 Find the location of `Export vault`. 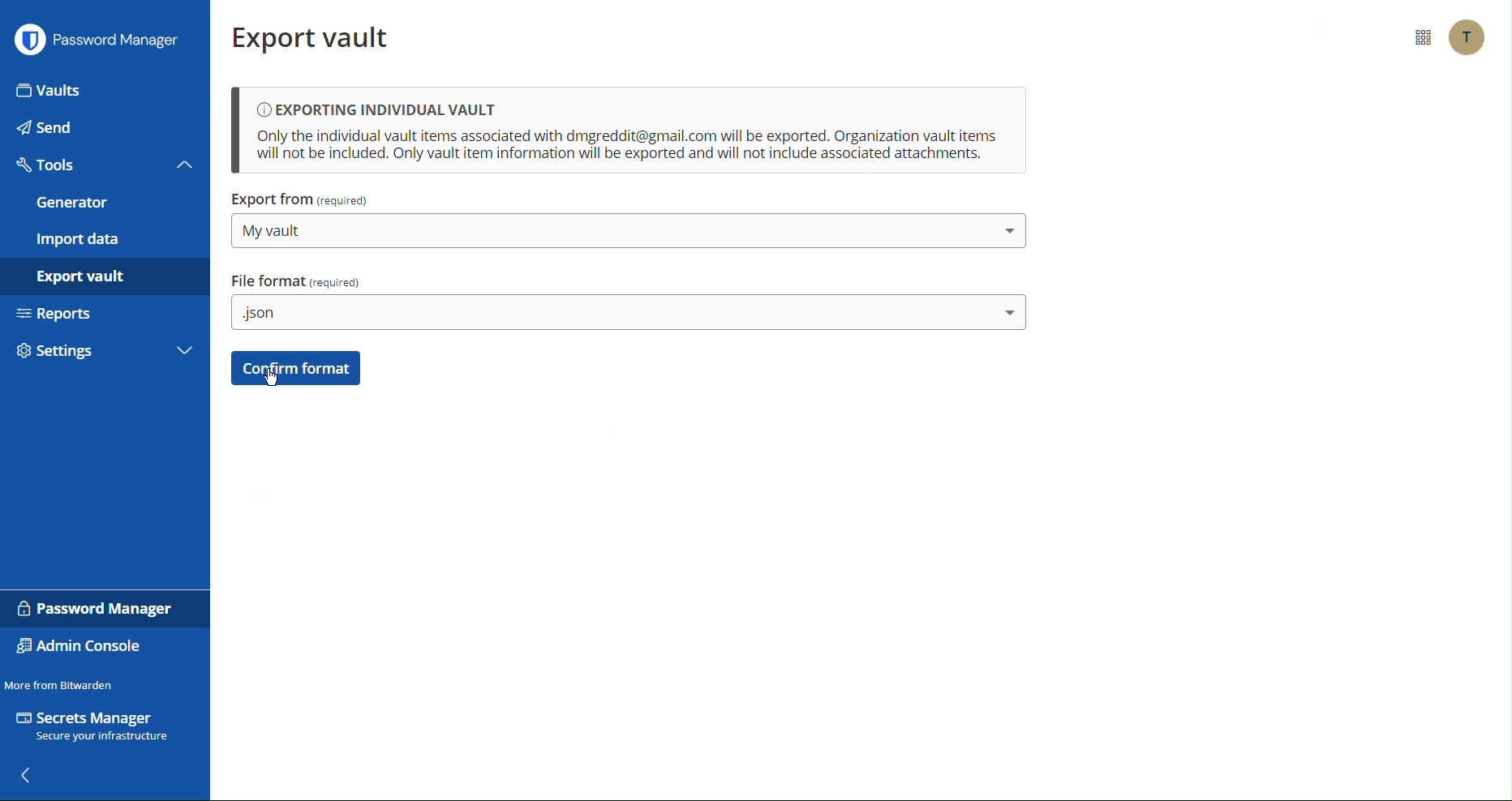

Export vault is located at coordinates (314, 36).